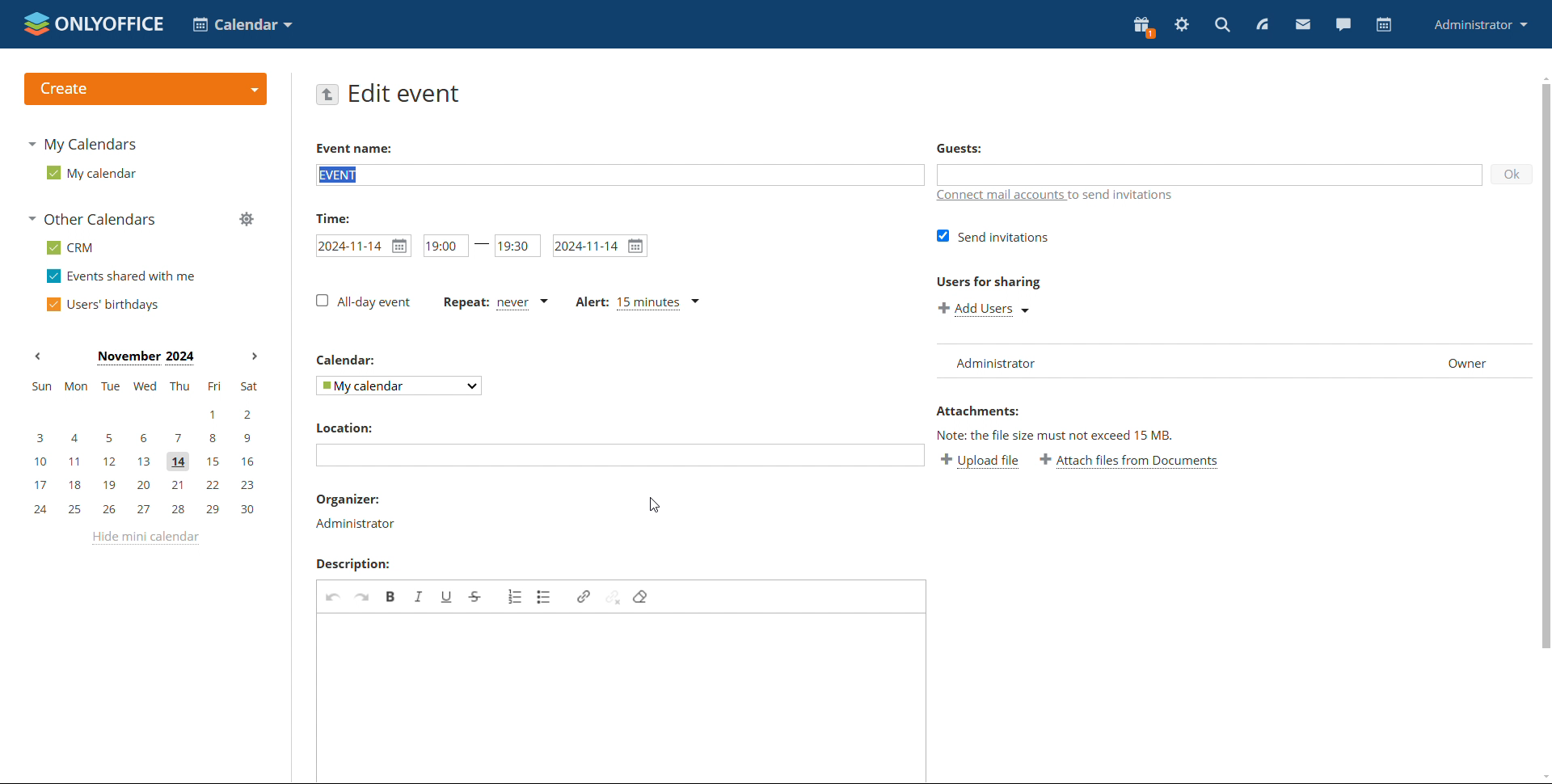 Image resolution: width=1552 pixels, height=784 pixels. What do you see at coordinates (361, 597) in the screenshot?
I see `redo` at bounding box center [361, 597].